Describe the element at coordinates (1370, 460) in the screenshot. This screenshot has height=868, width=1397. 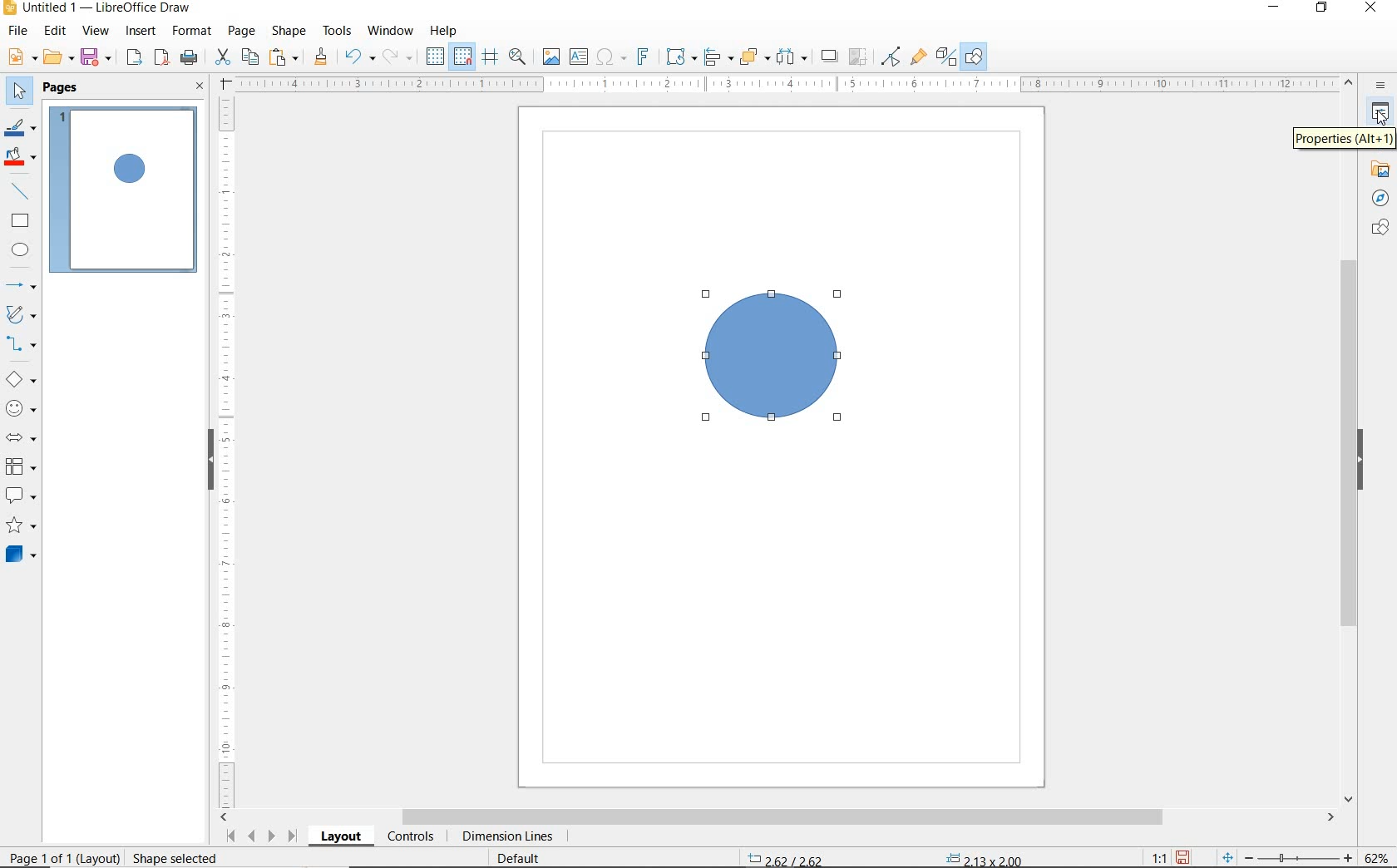
I see `HIDE` at that location.